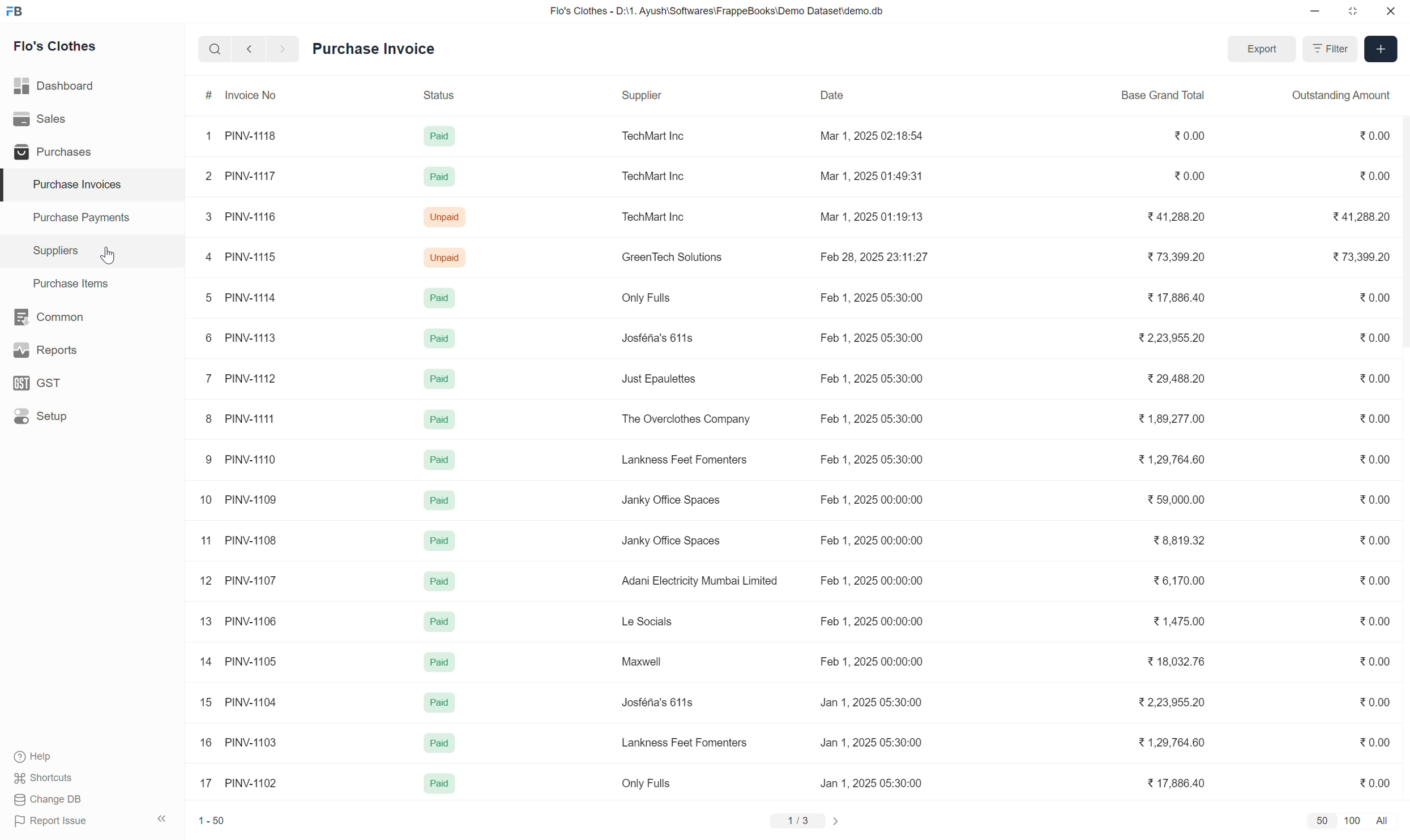 The image size is (1410, 840). What do you see at coordinates (67, 283) in the screenshot?
I see `Purchase Items` at bounding box center [67, 283].